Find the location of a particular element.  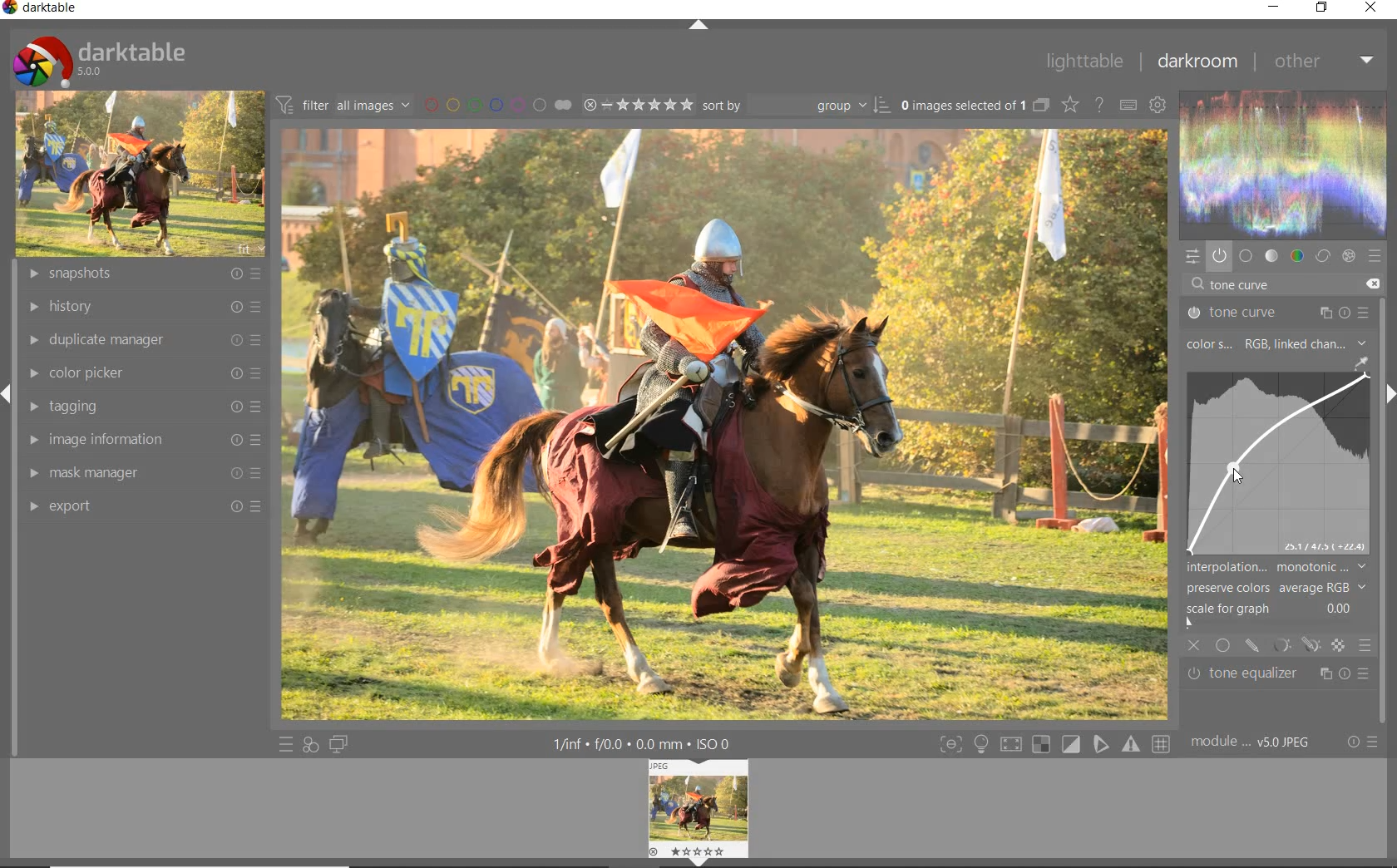

waveform is located at coordinates (1284, 163).